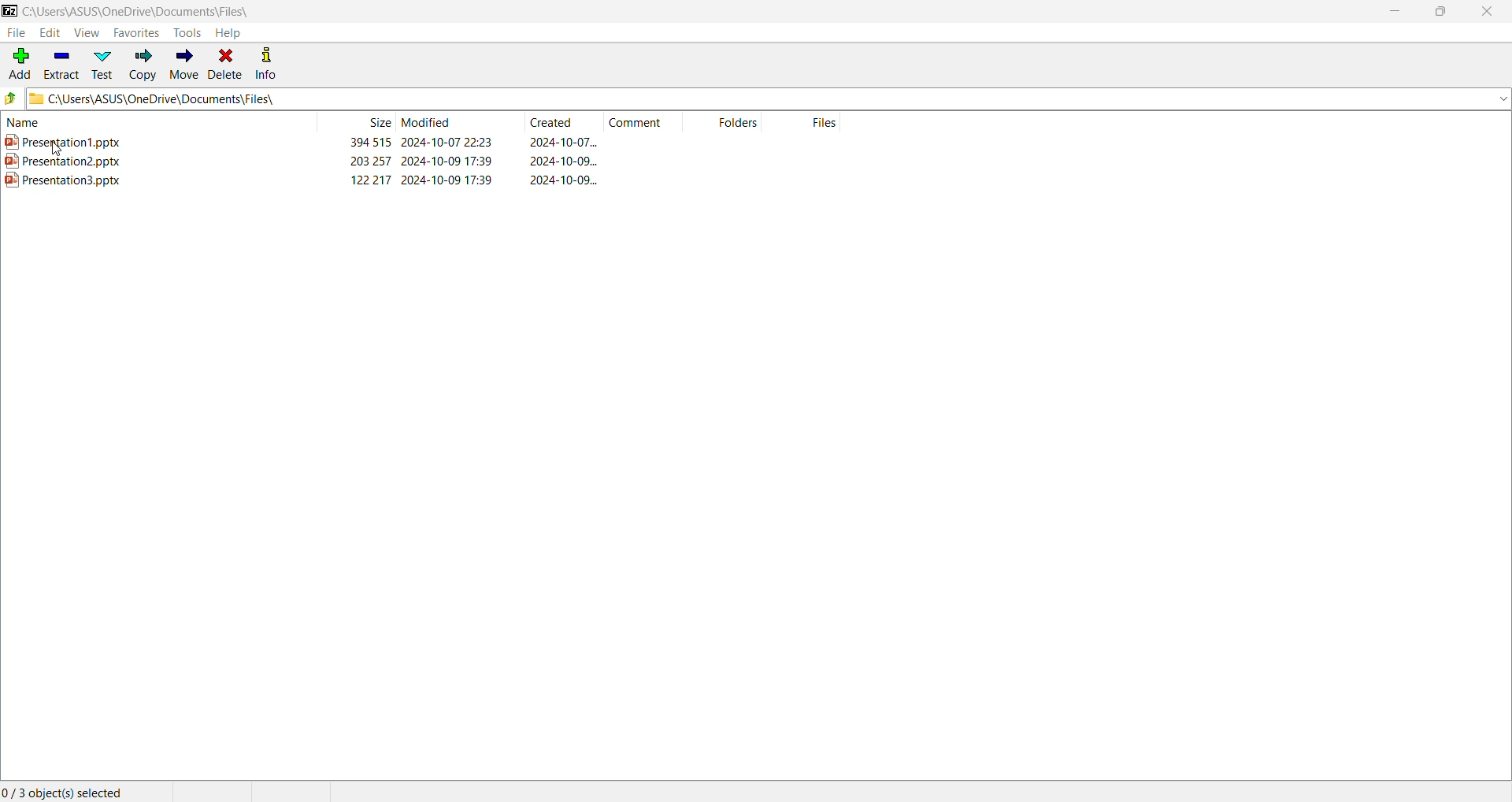 The width and height of the screenshot is (1512, 802). What do you see at coordinates (267, 62) in the screenshot?
I see `Info` at bounding box center [267, 62].